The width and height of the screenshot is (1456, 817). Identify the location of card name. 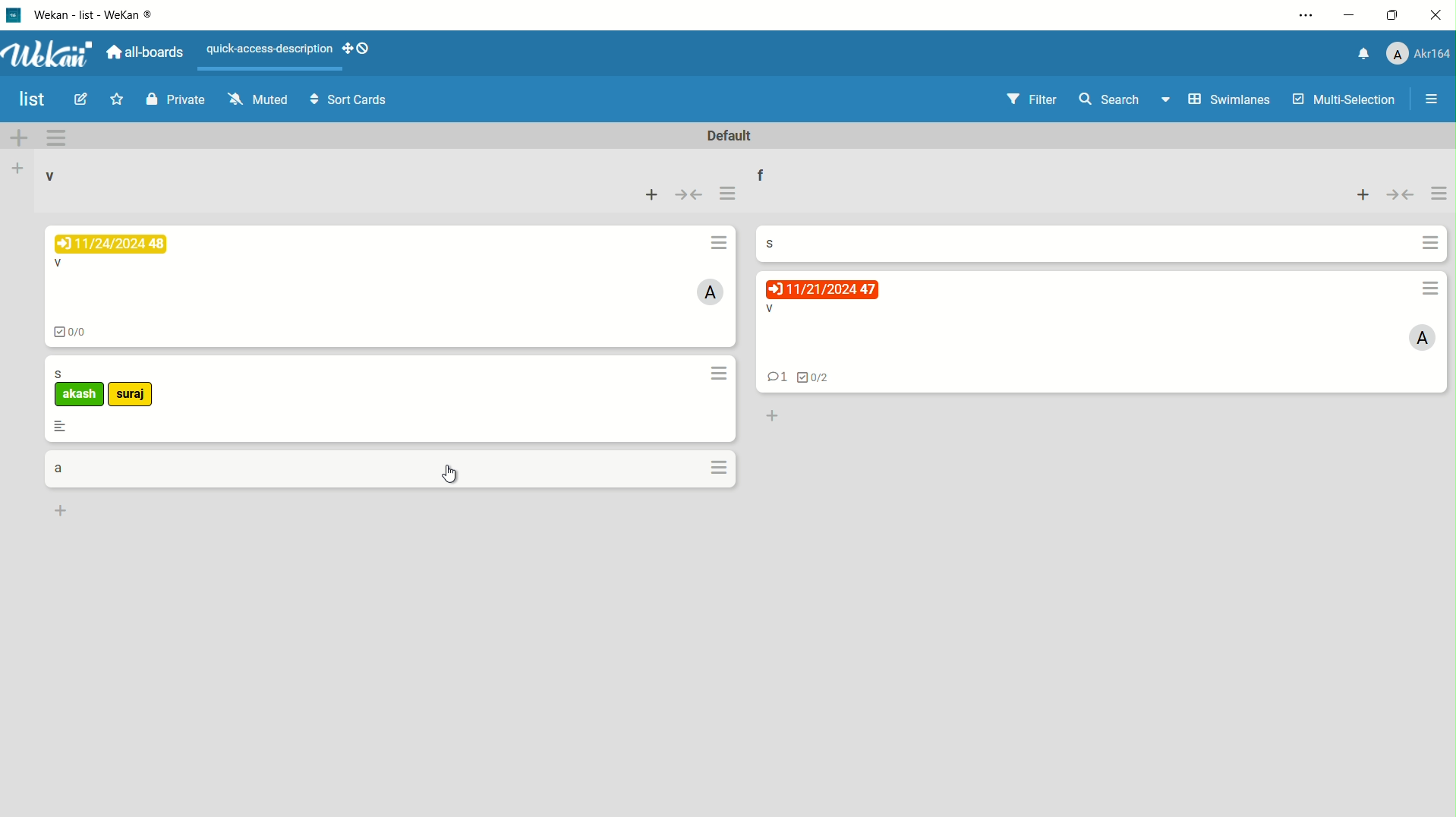
(767, 243).